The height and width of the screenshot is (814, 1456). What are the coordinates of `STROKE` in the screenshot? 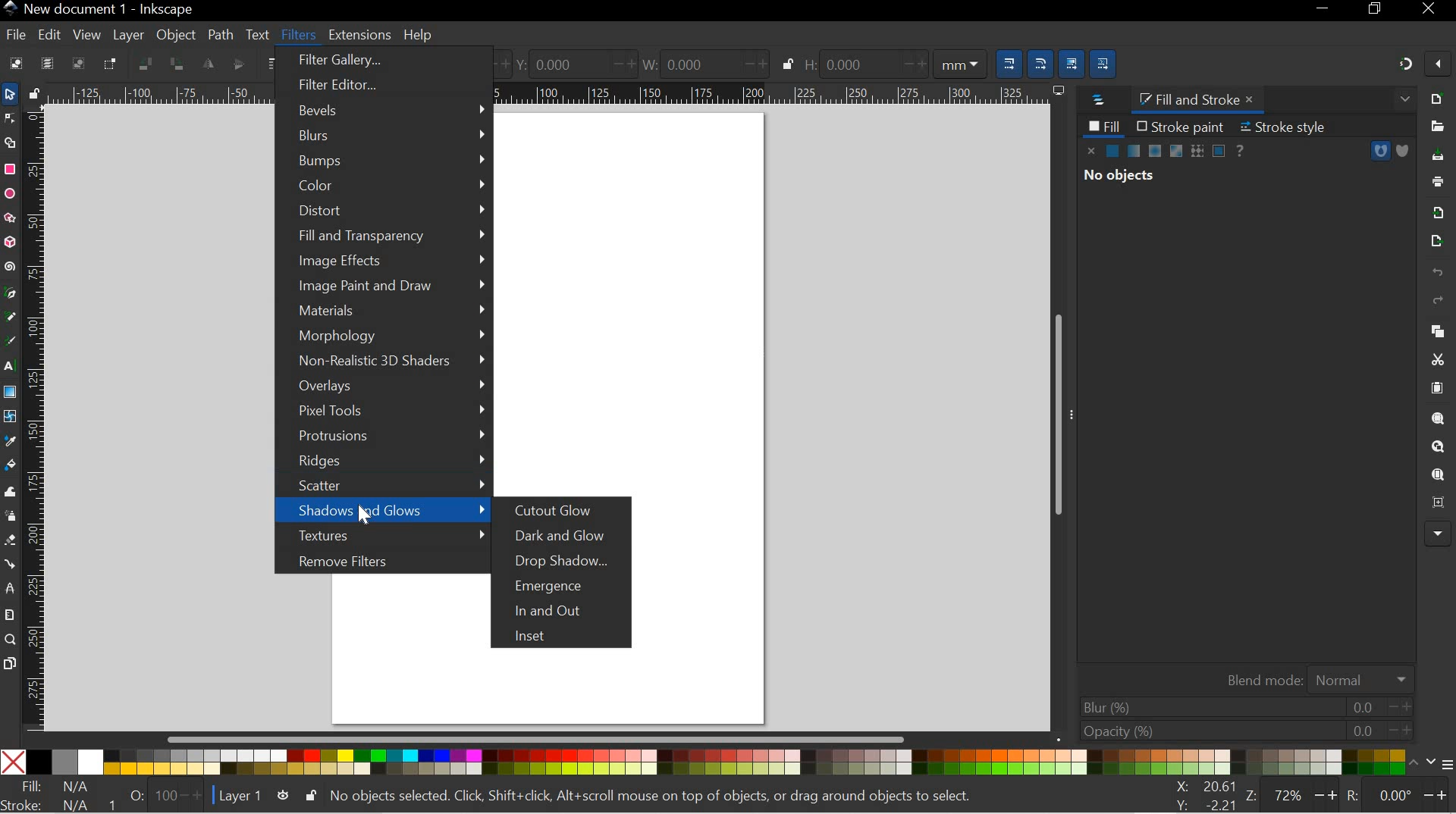 It's located at (54, 805).